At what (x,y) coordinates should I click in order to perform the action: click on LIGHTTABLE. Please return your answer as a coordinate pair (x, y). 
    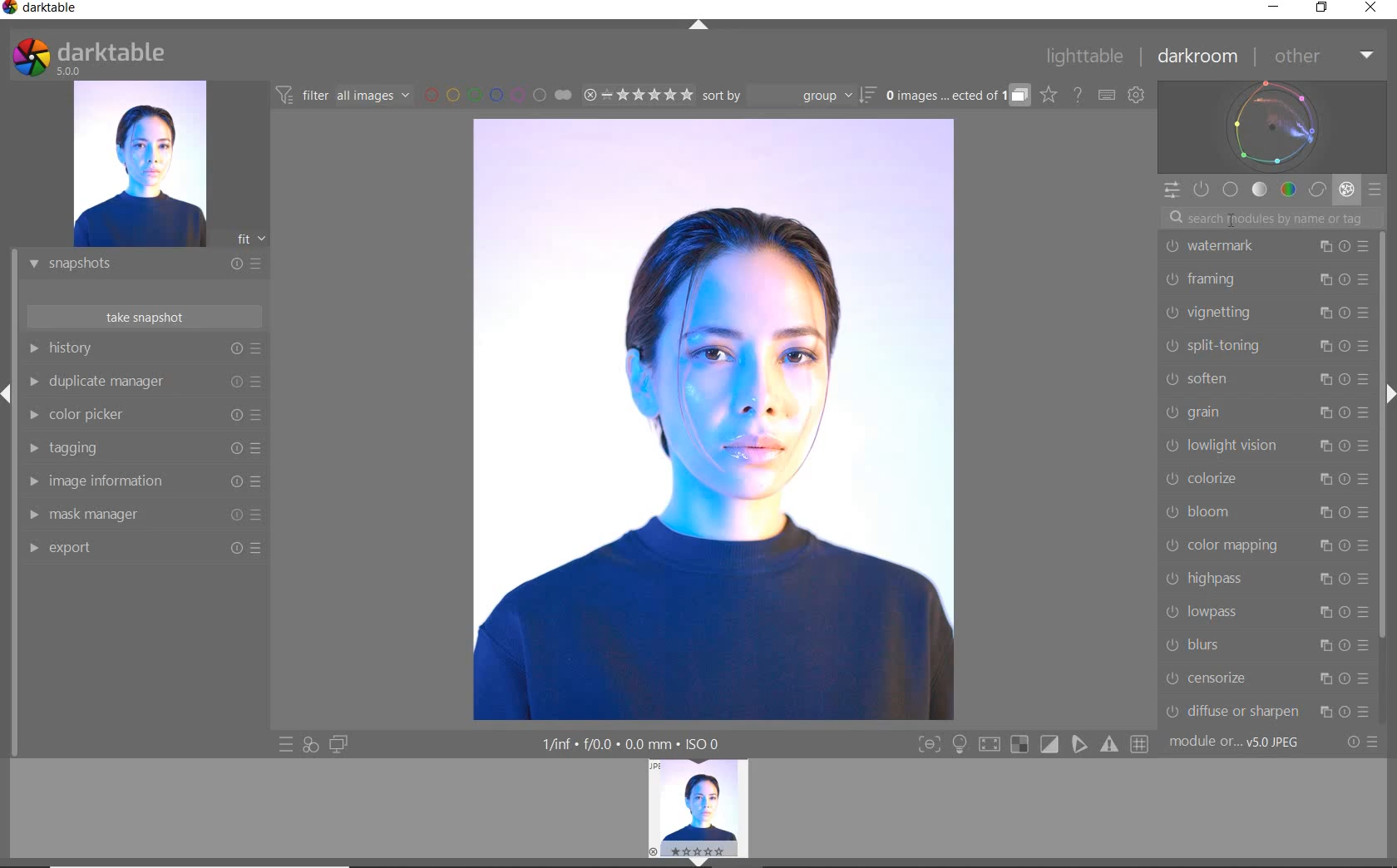
    Looking at the image, I should click on (1085, 59).